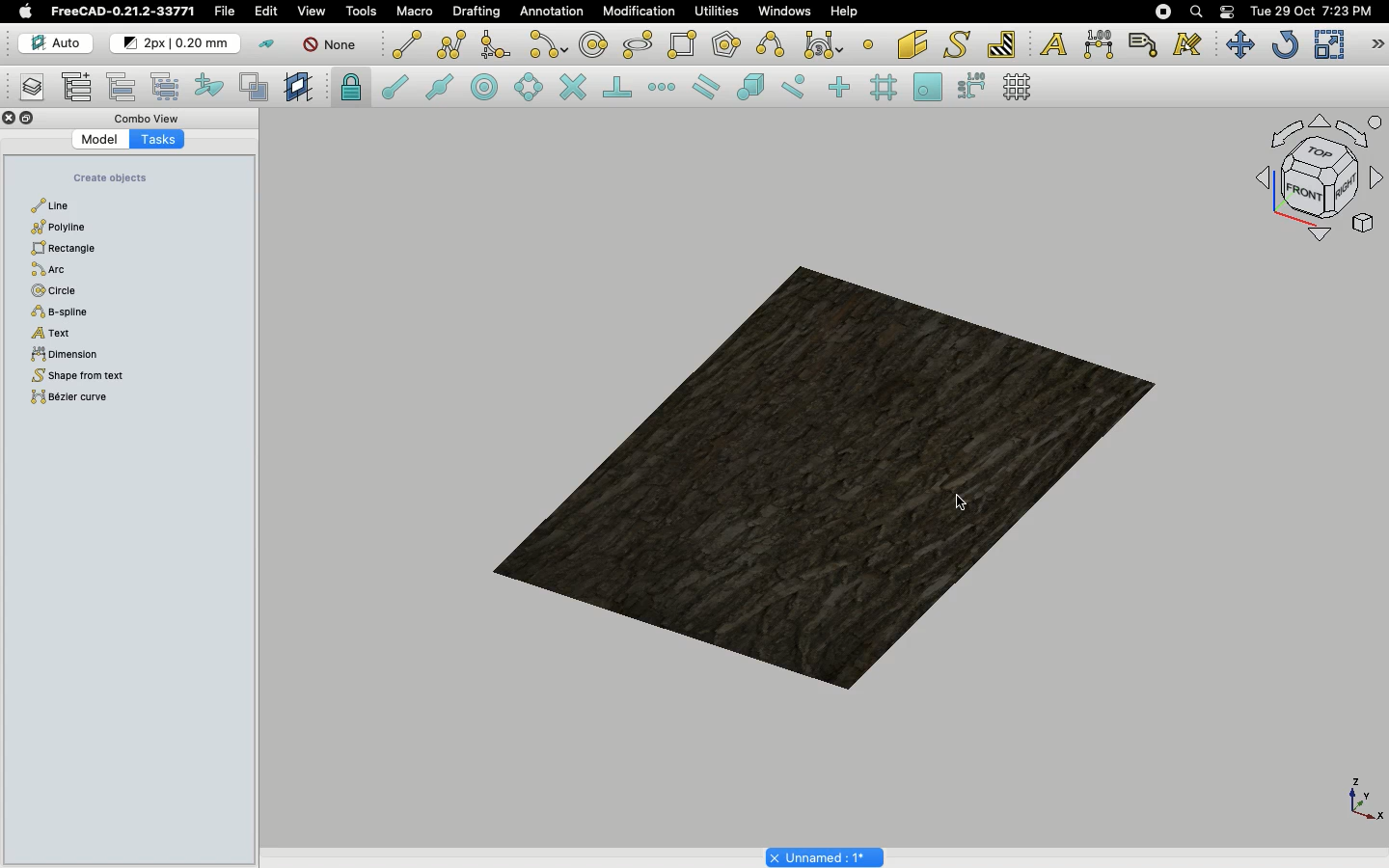 This screenshot has width=1389, height=868. What do you see at coordinates (210, 89) in the screenshot?
I see `Add to construction group` at bounding box center [210, 89].